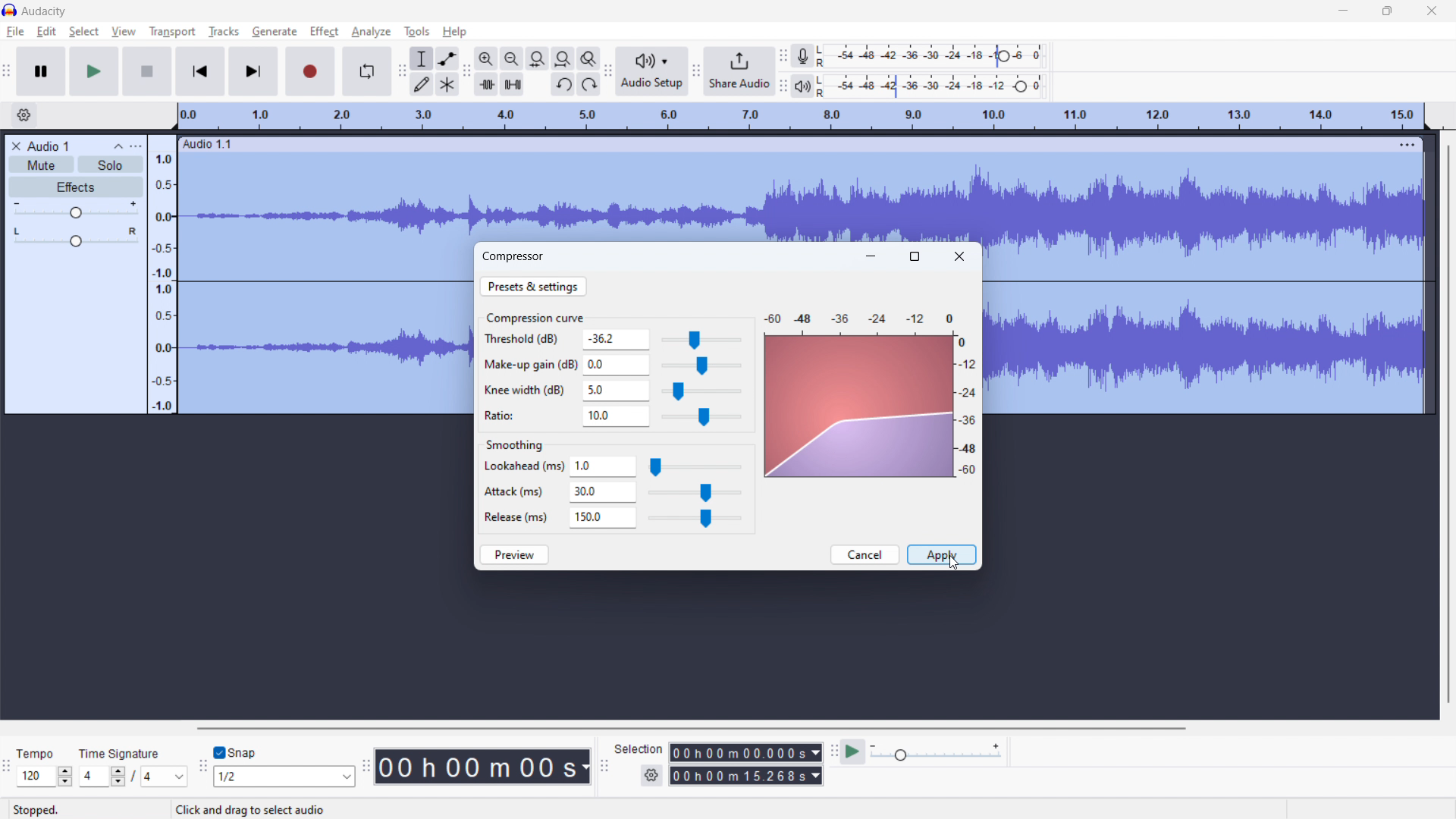 Image resolution: width=1456 pixels, height=819 pixels. I want to click on  Threshold (dB), so click(528, 340).